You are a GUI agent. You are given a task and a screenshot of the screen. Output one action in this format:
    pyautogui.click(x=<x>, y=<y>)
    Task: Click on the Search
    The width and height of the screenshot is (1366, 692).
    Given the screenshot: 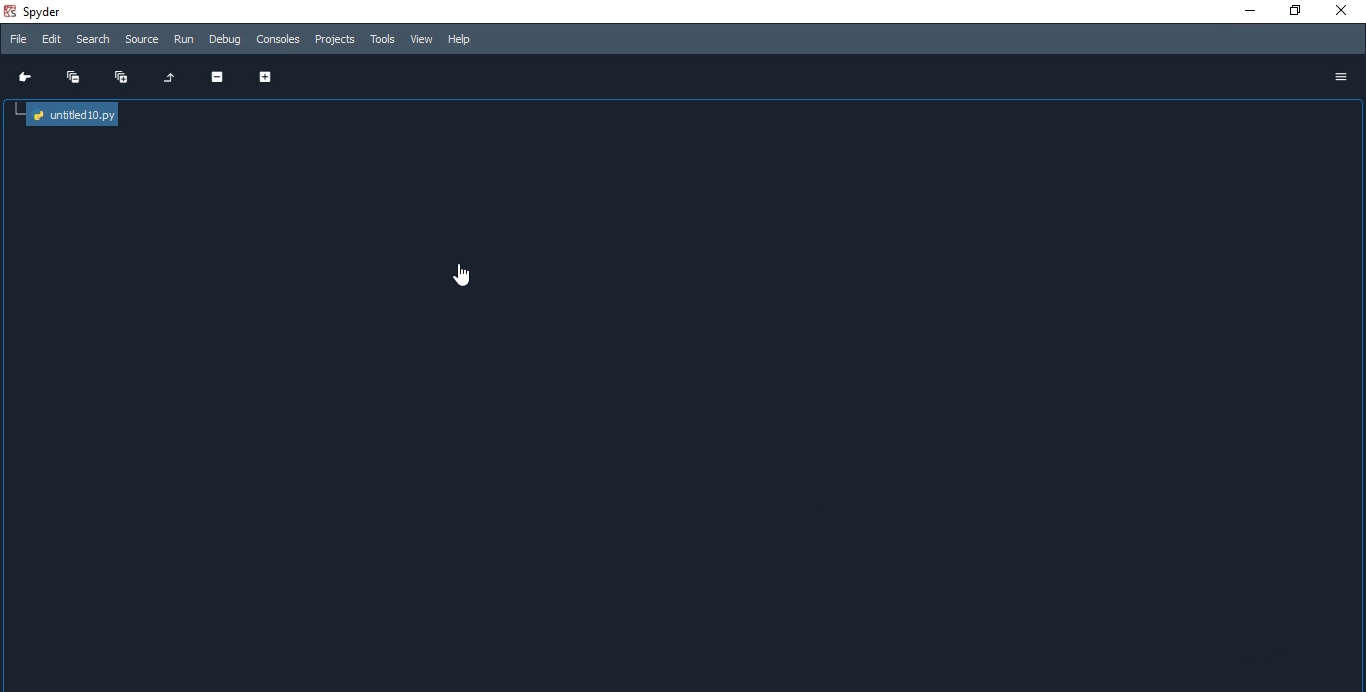 What is the action you would take?
    pyautogui.click(x=95, y=40)
    